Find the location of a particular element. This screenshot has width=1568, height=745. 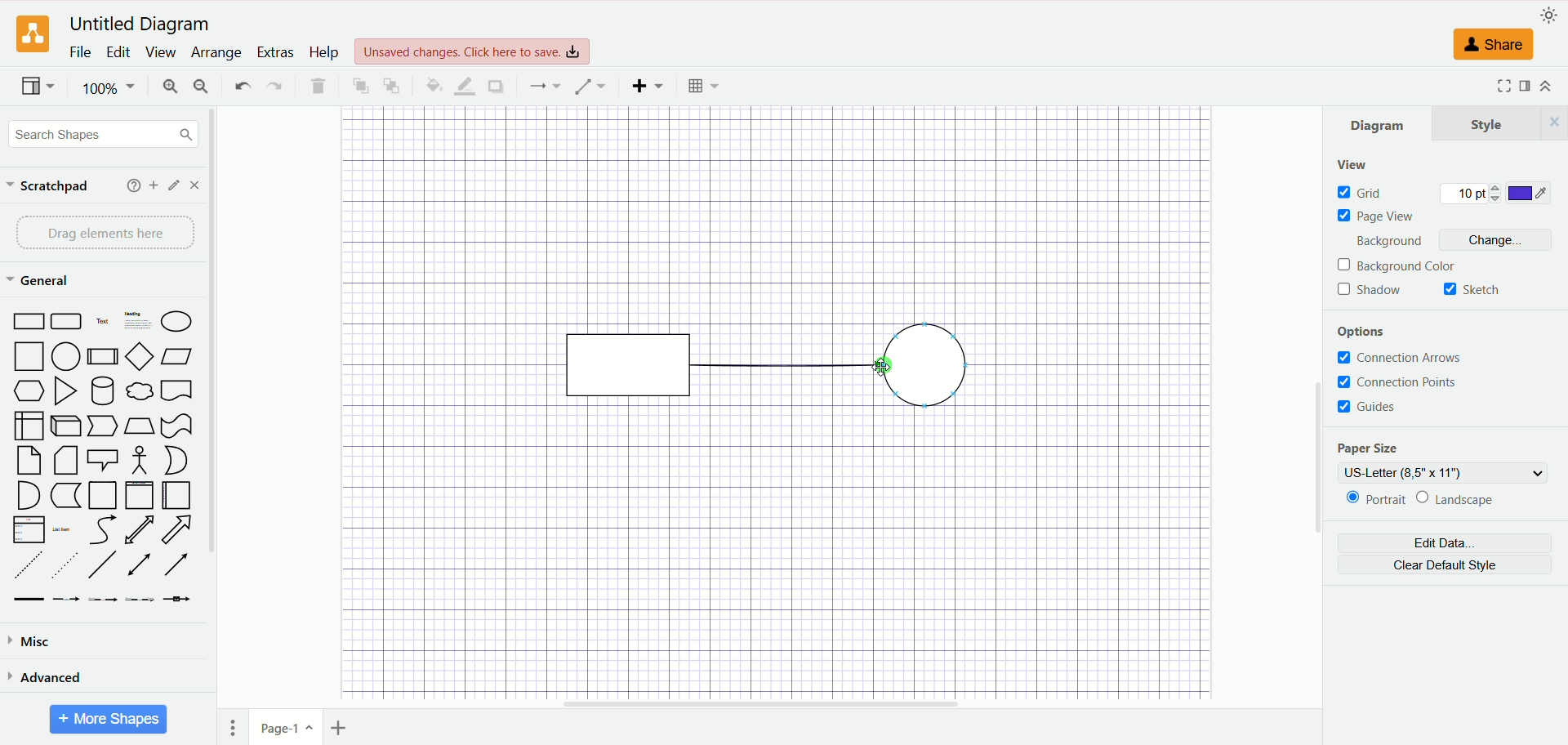

view is located at coordinates (37, 86).